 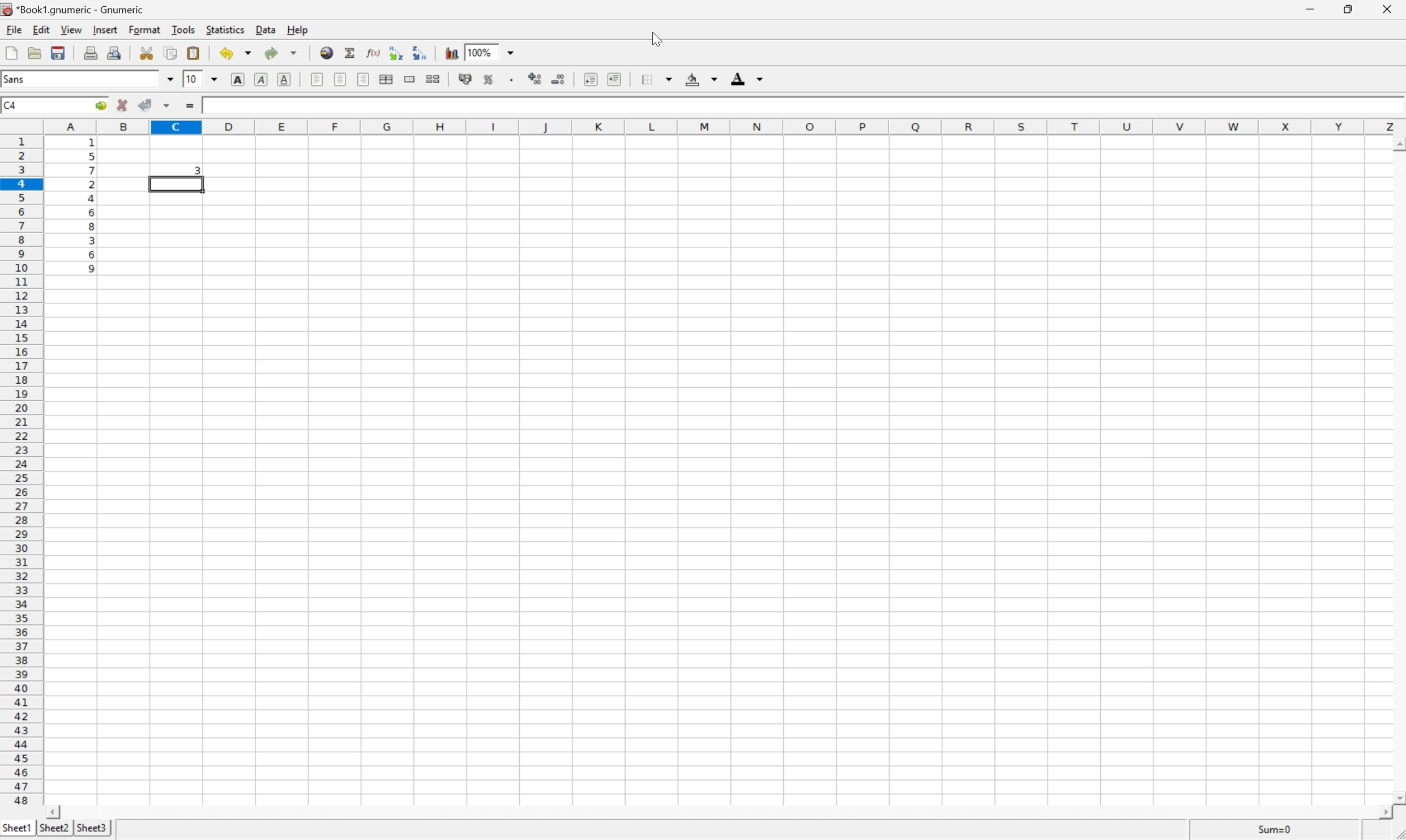 I want to click on insert, so click(x=106, y=28).